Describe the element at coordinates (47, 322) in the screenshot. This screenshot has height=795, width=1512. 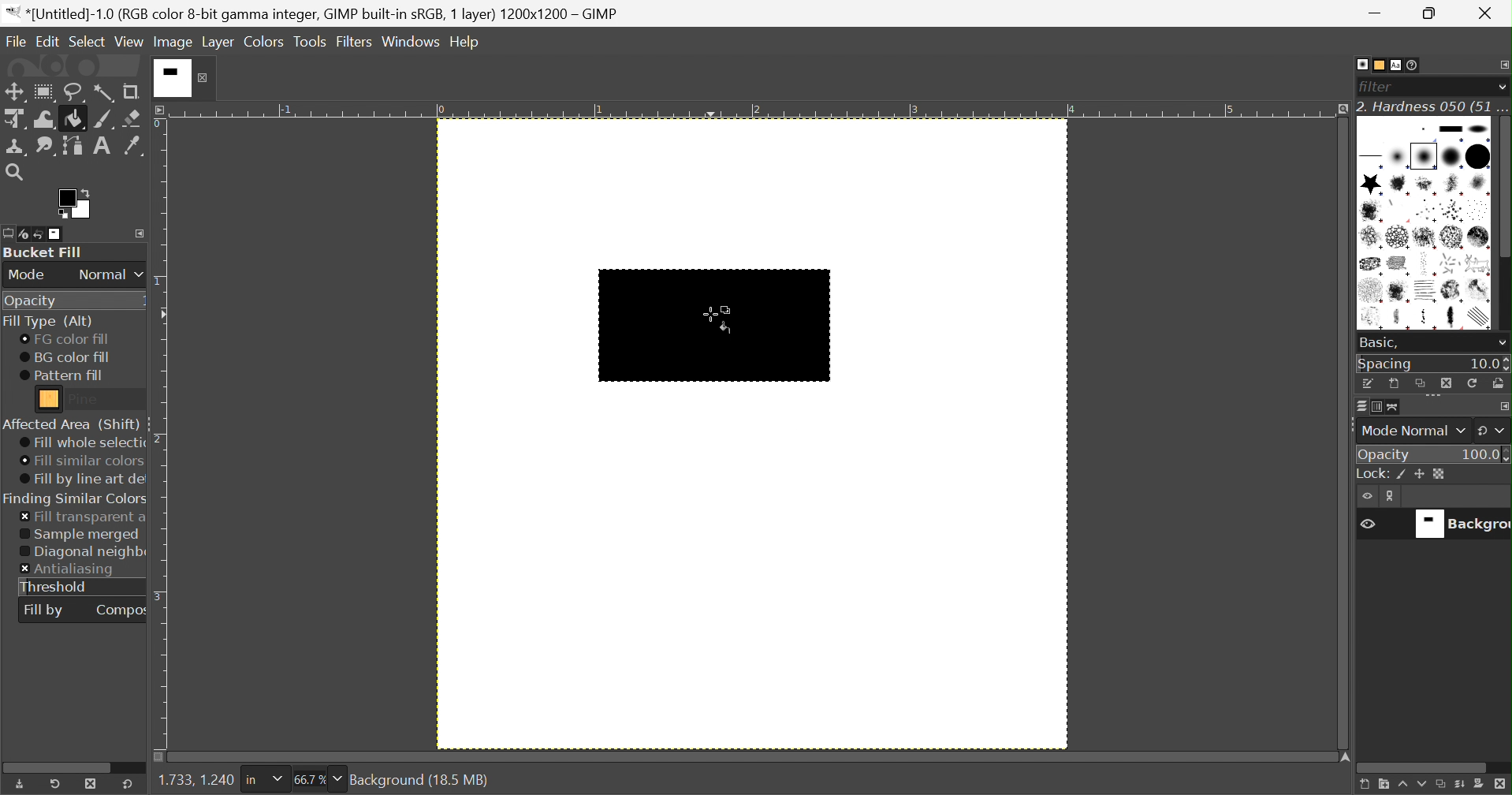
I see `Fill Type (Alt)` at that location.